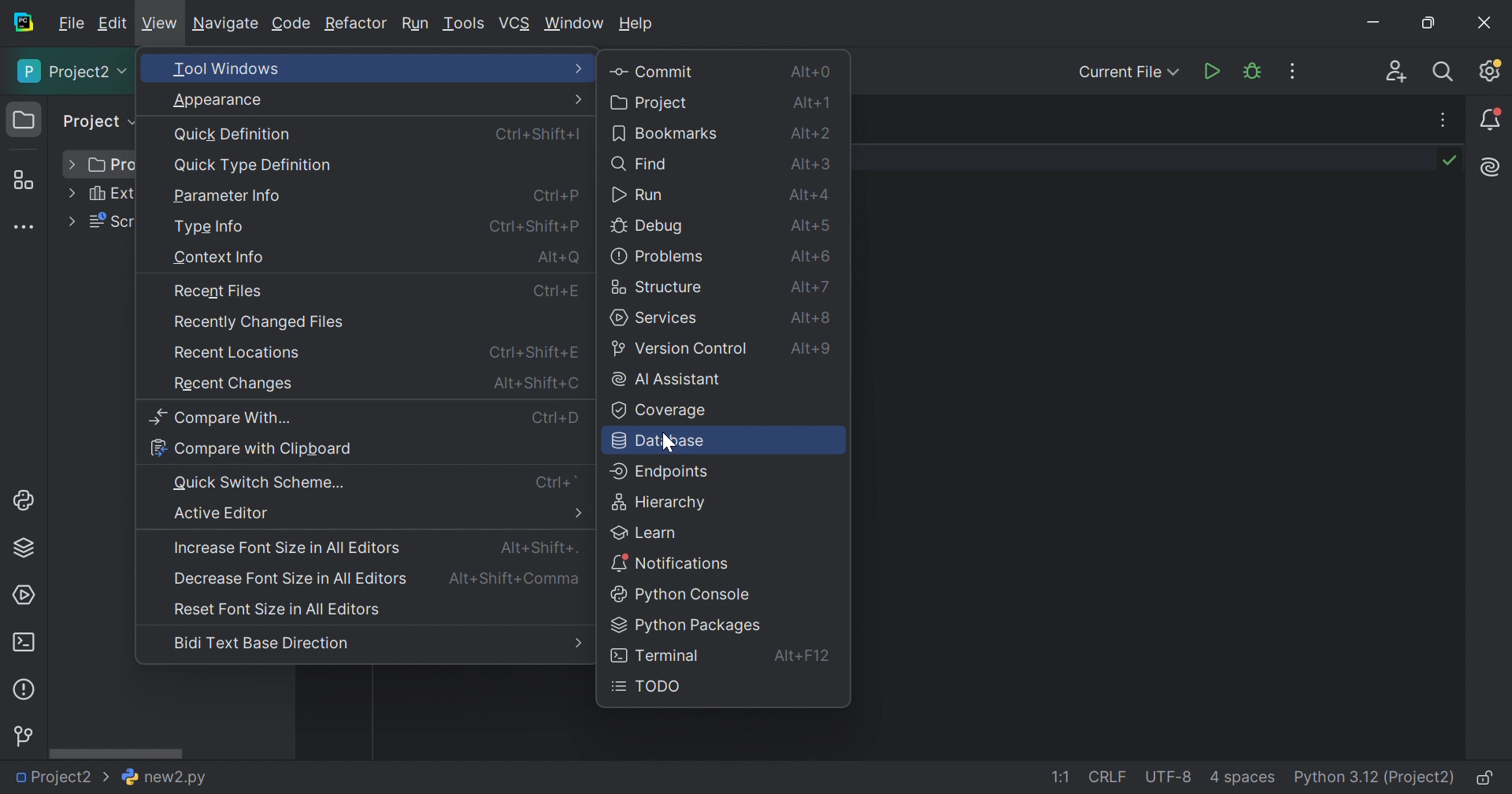 The height and width of the screenshot is (794, 1512). I want to click on Python 3.12 (Project), so click(1375, 777).